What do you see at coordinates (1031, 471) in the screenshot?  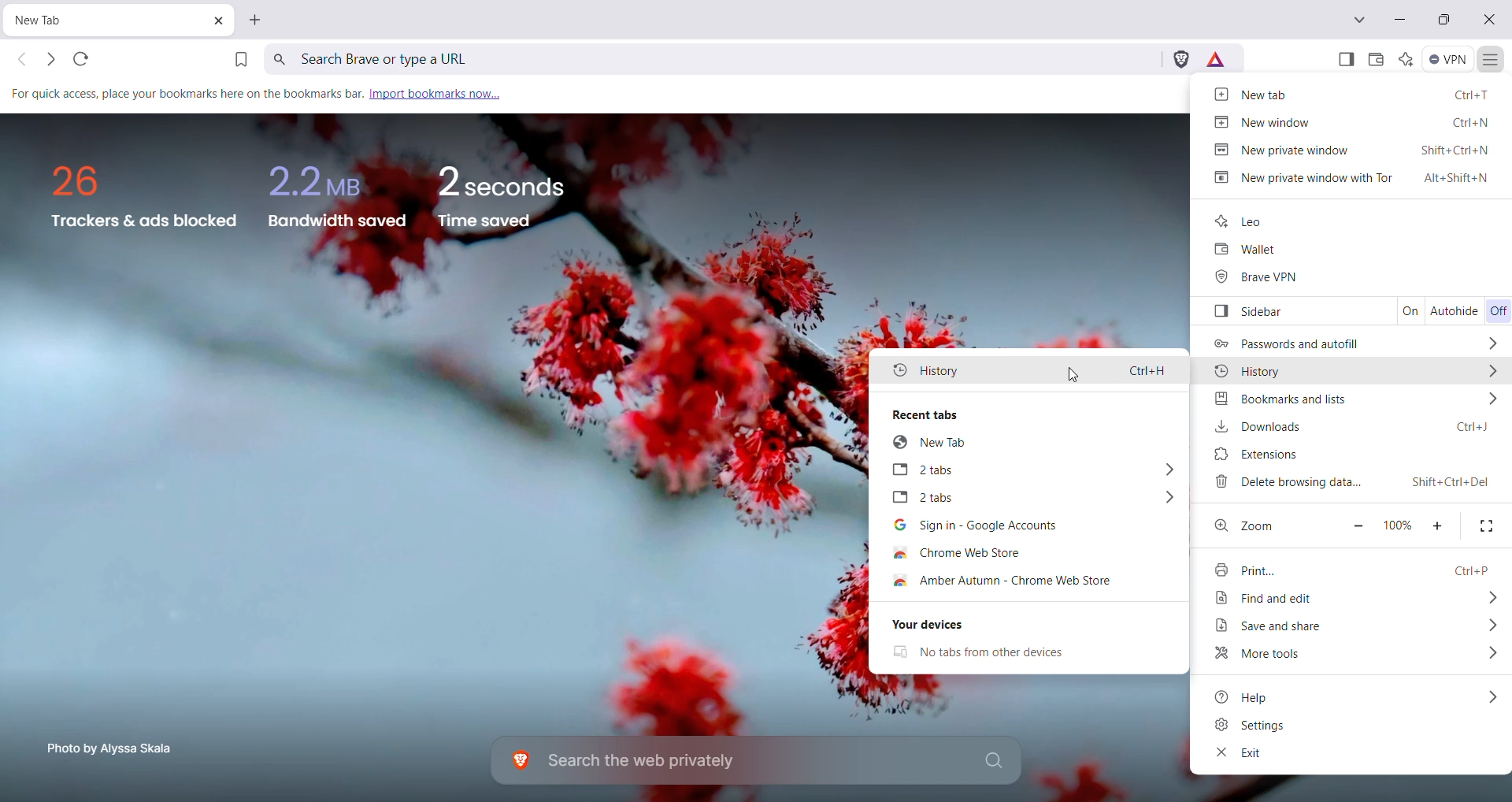 I see `2 tabs` at bounding box center [1031, 471].